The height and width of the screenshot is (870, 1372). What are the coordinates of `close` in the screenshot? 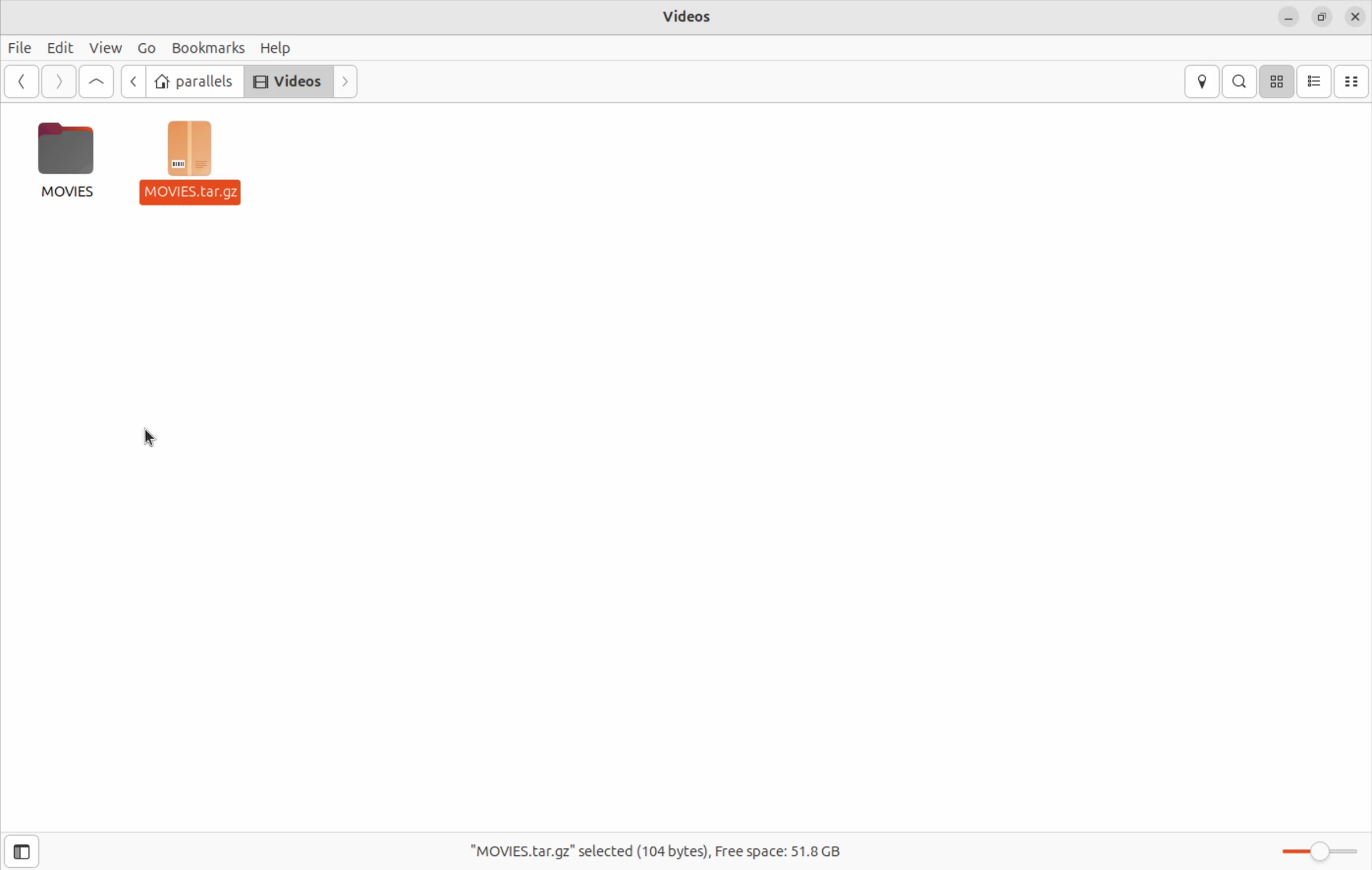 It's located at (1357, 15).